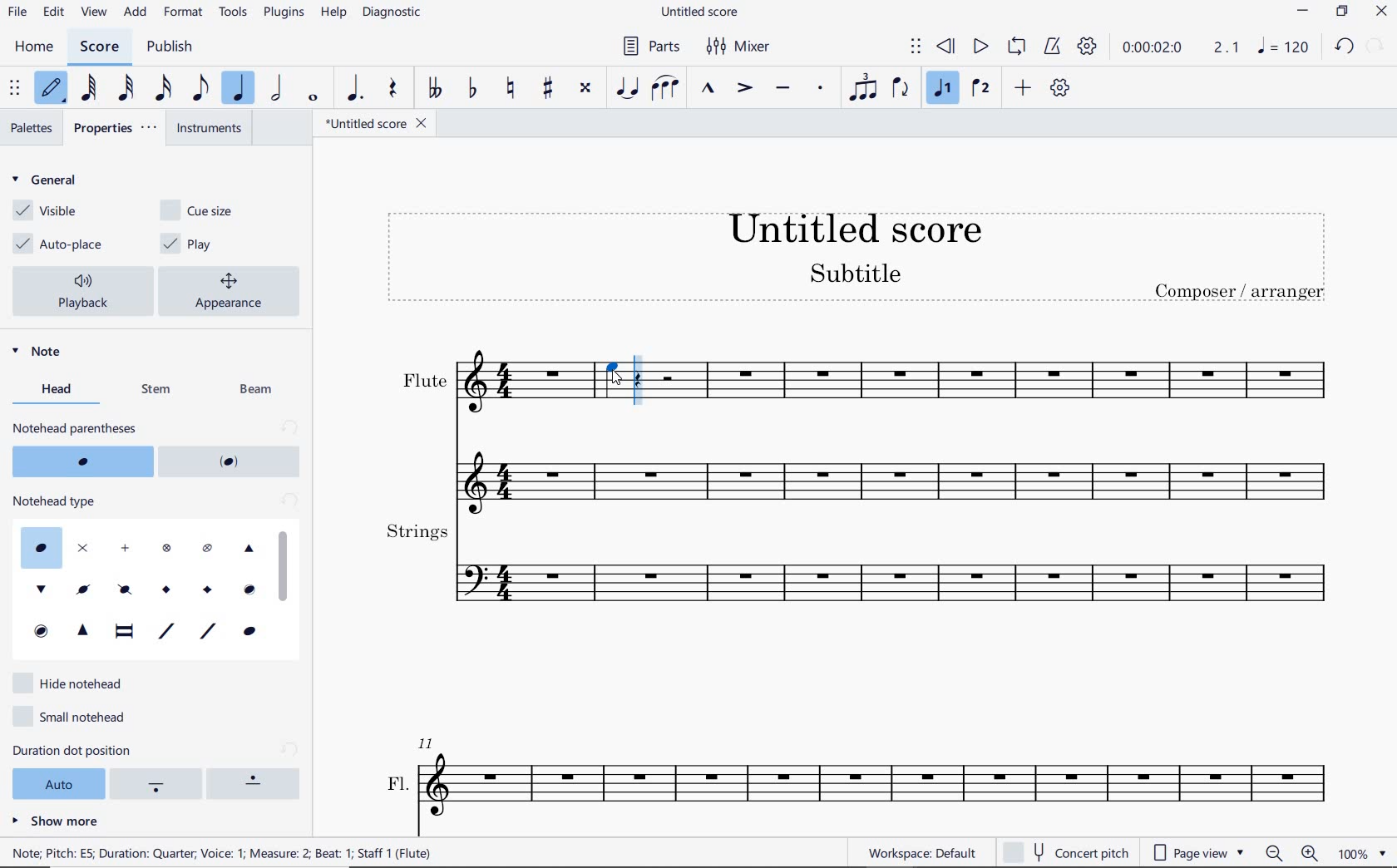  What do you see at coordinates (313, 99) in the screenshot?
I see `WHOLE NOTE` at bounding box center [313, 99].